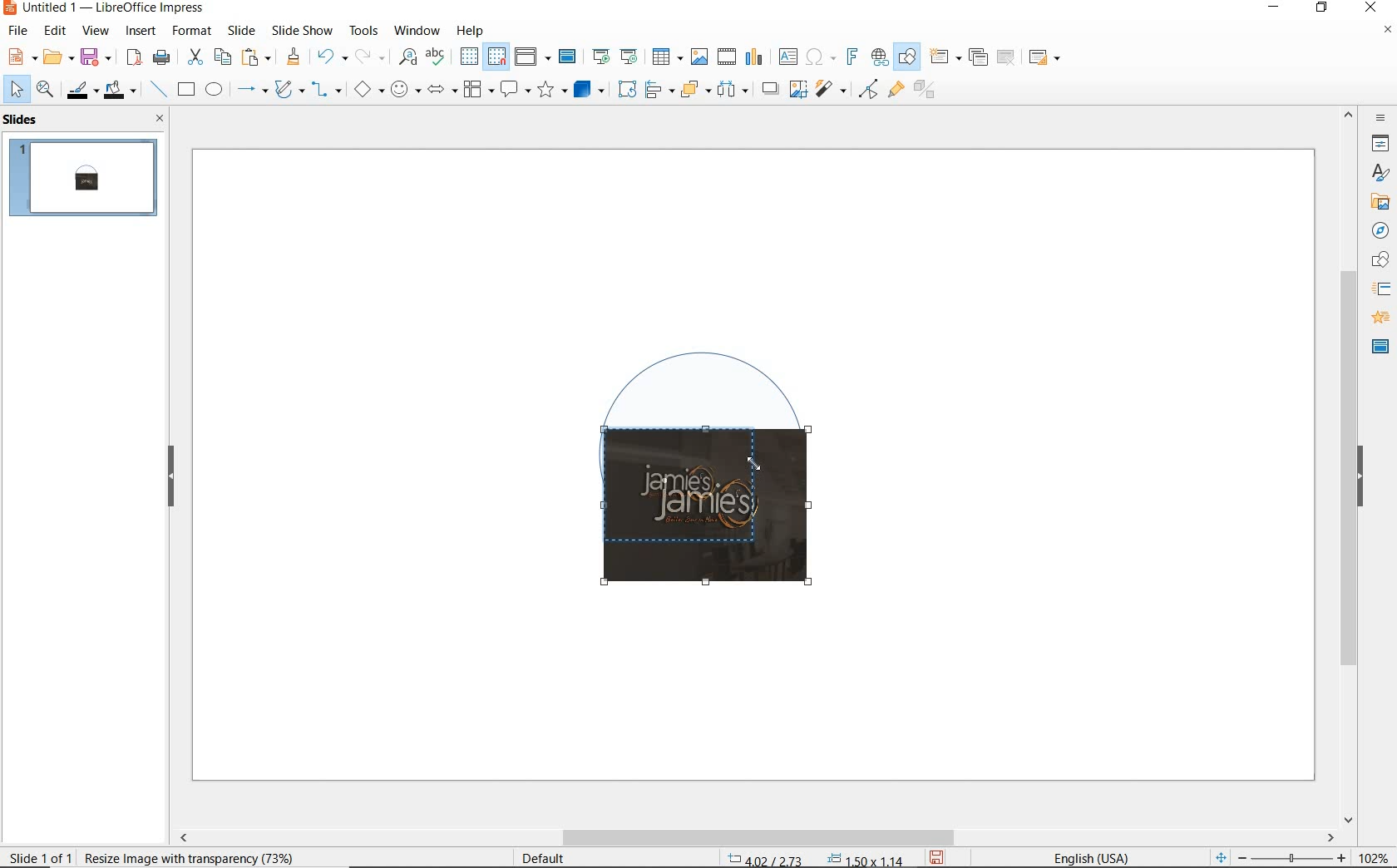  I want to click on help, so click(472, 28).